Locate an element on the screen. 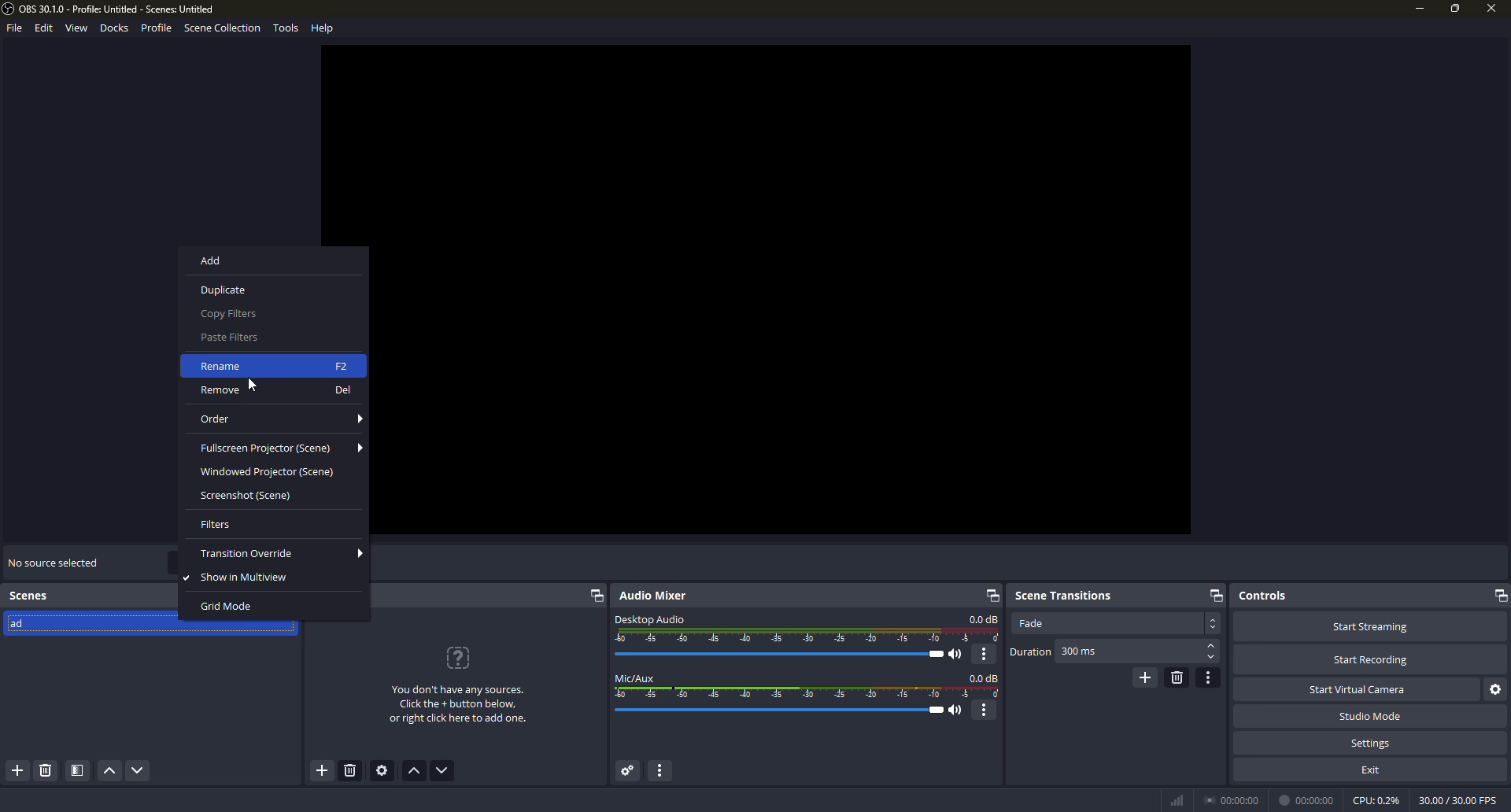 The width and height of the screenshot is (1511, 812). start recording is located at coordinates (1371, 660).